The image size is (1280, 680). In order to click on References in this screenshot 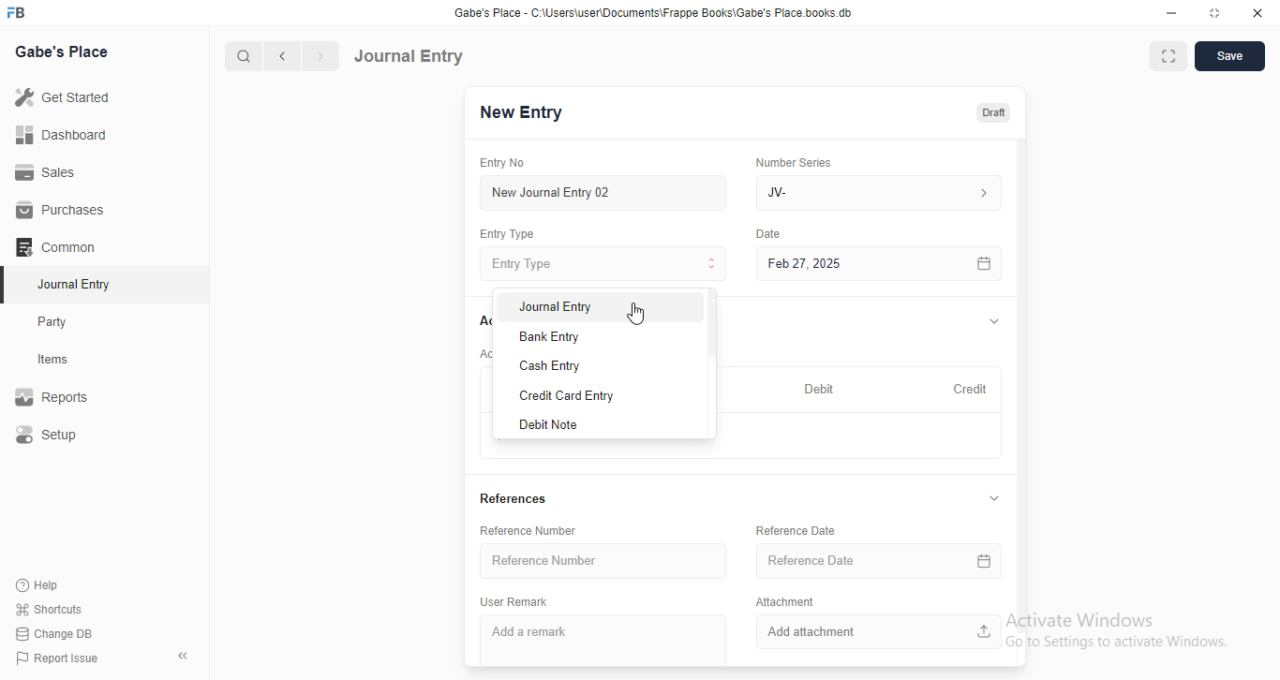, I will do `click(515, 499)`.